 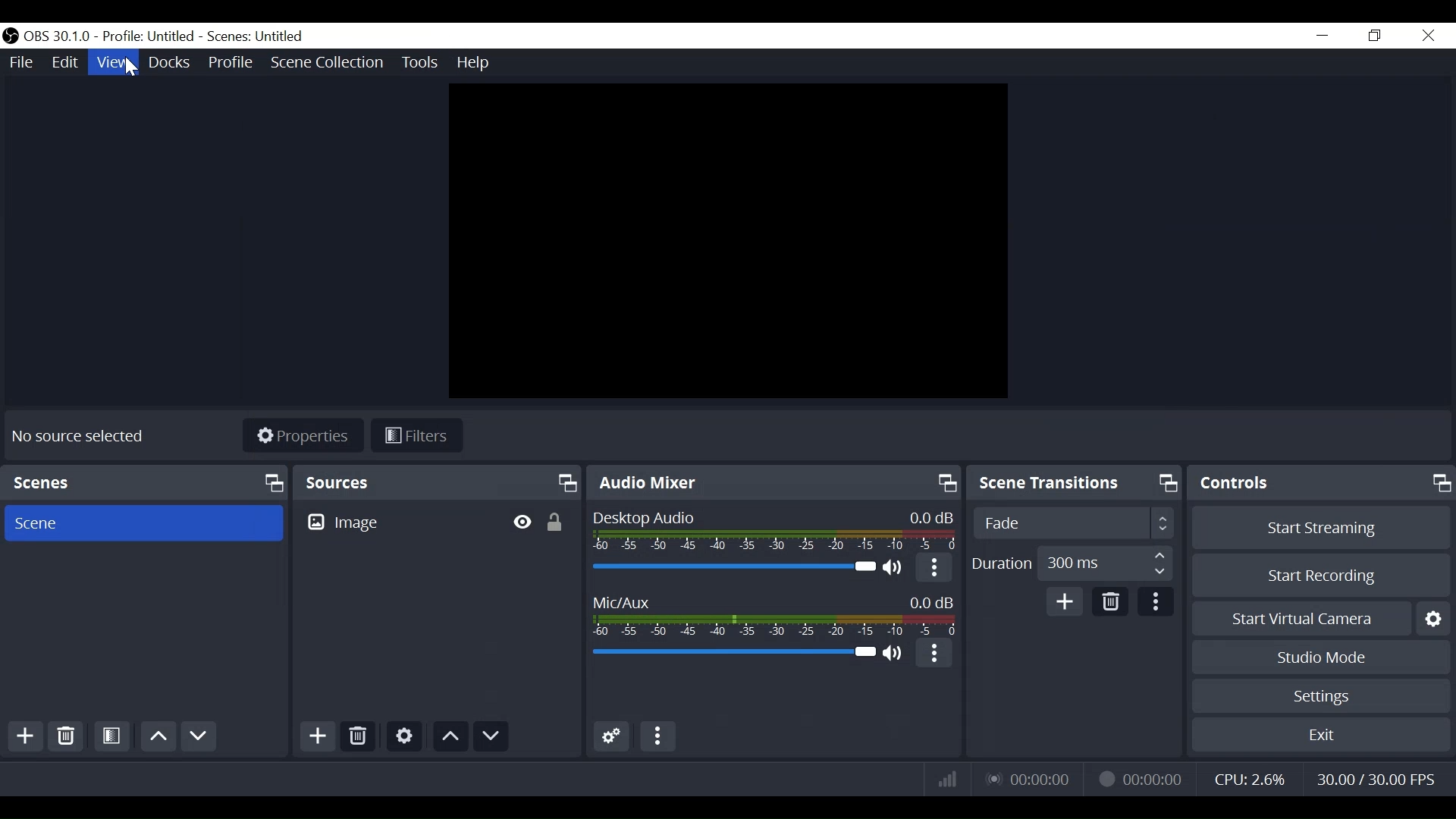 I want to click on move down, so click(x=492, y=736).